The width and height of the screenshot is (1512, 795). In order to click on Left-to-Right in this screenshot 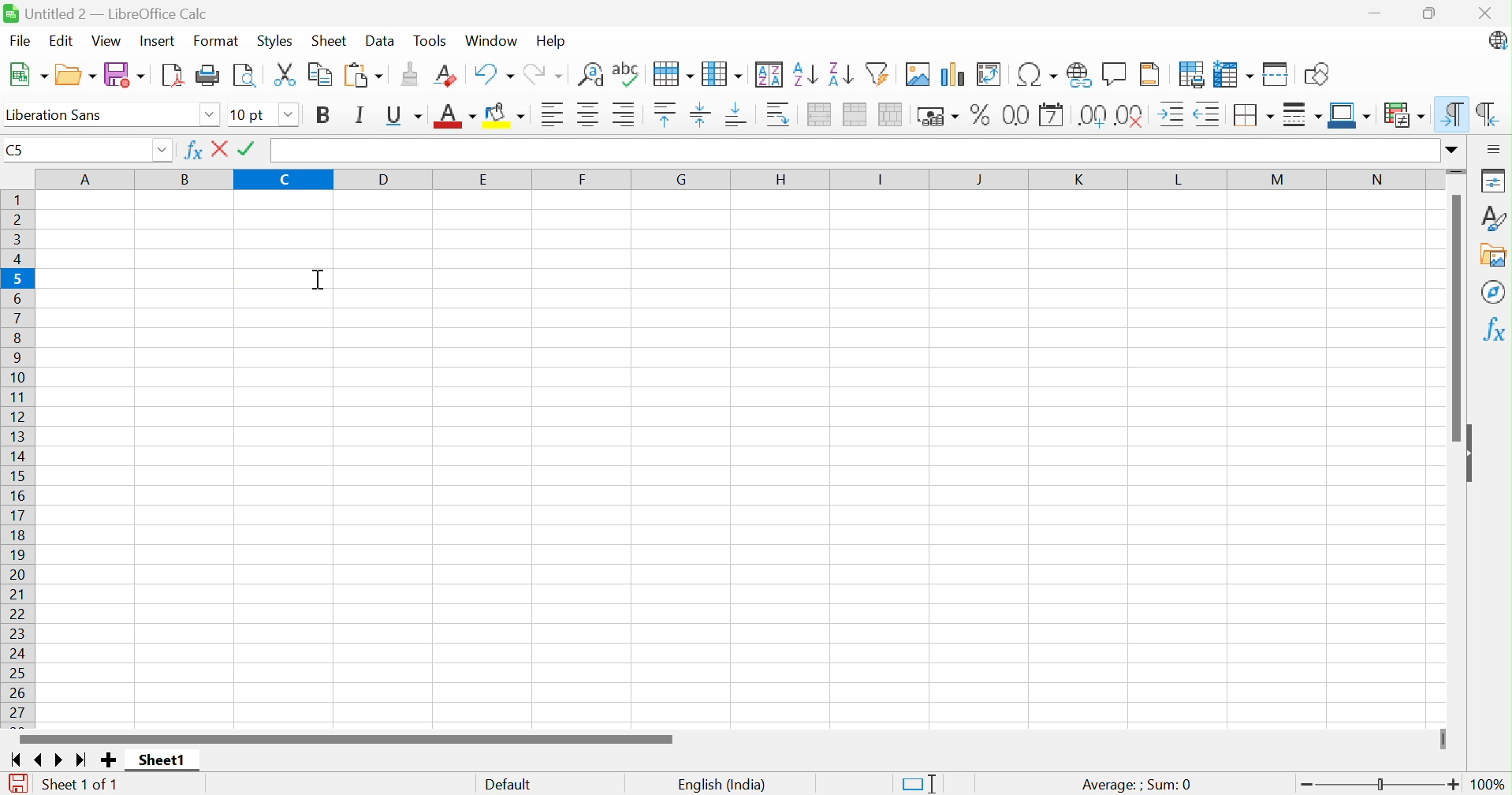, I will do `click(1453, 115)`.